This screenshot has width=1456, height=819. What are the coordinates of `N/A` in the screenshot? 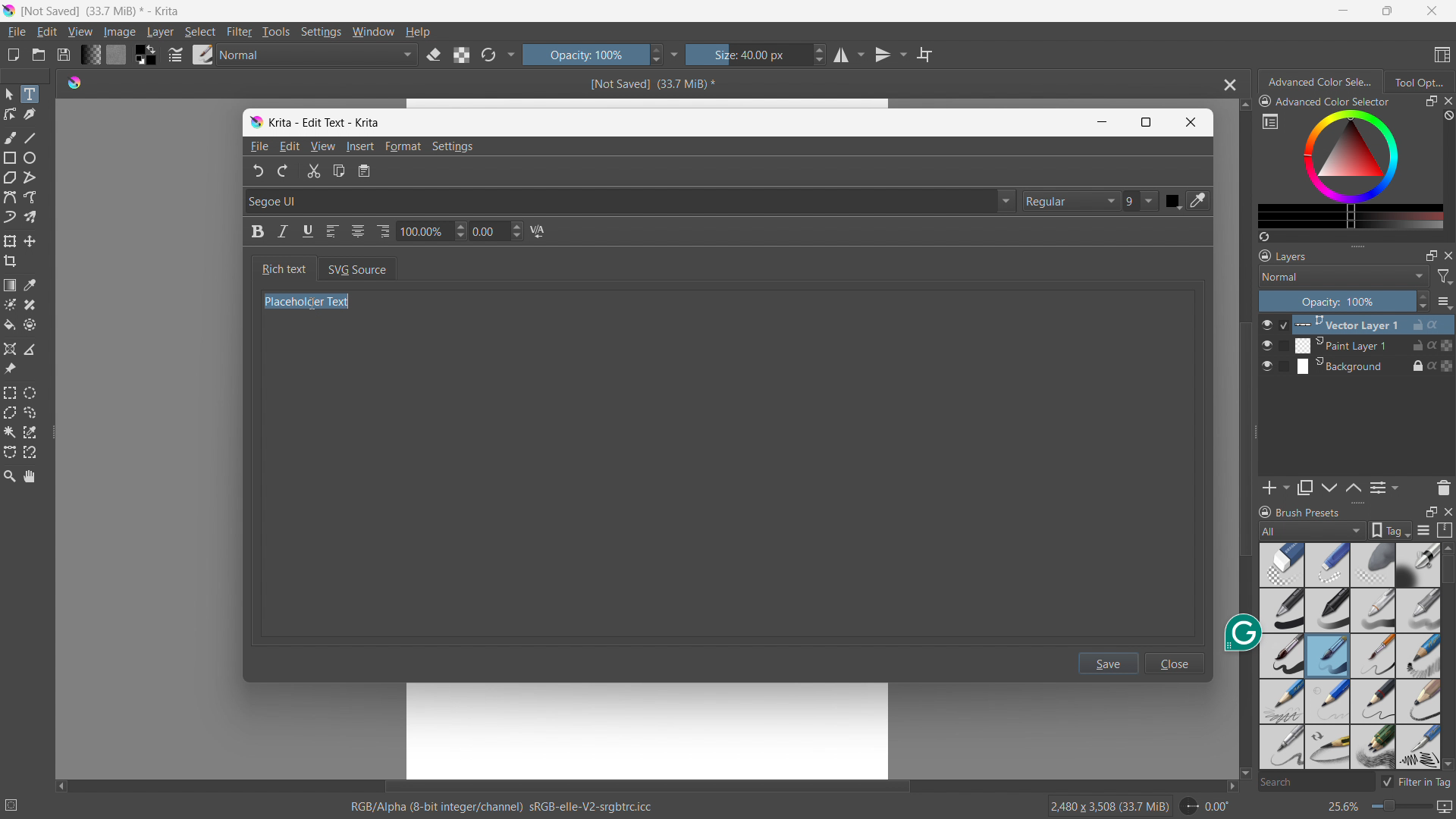 It's located at (541, 232).